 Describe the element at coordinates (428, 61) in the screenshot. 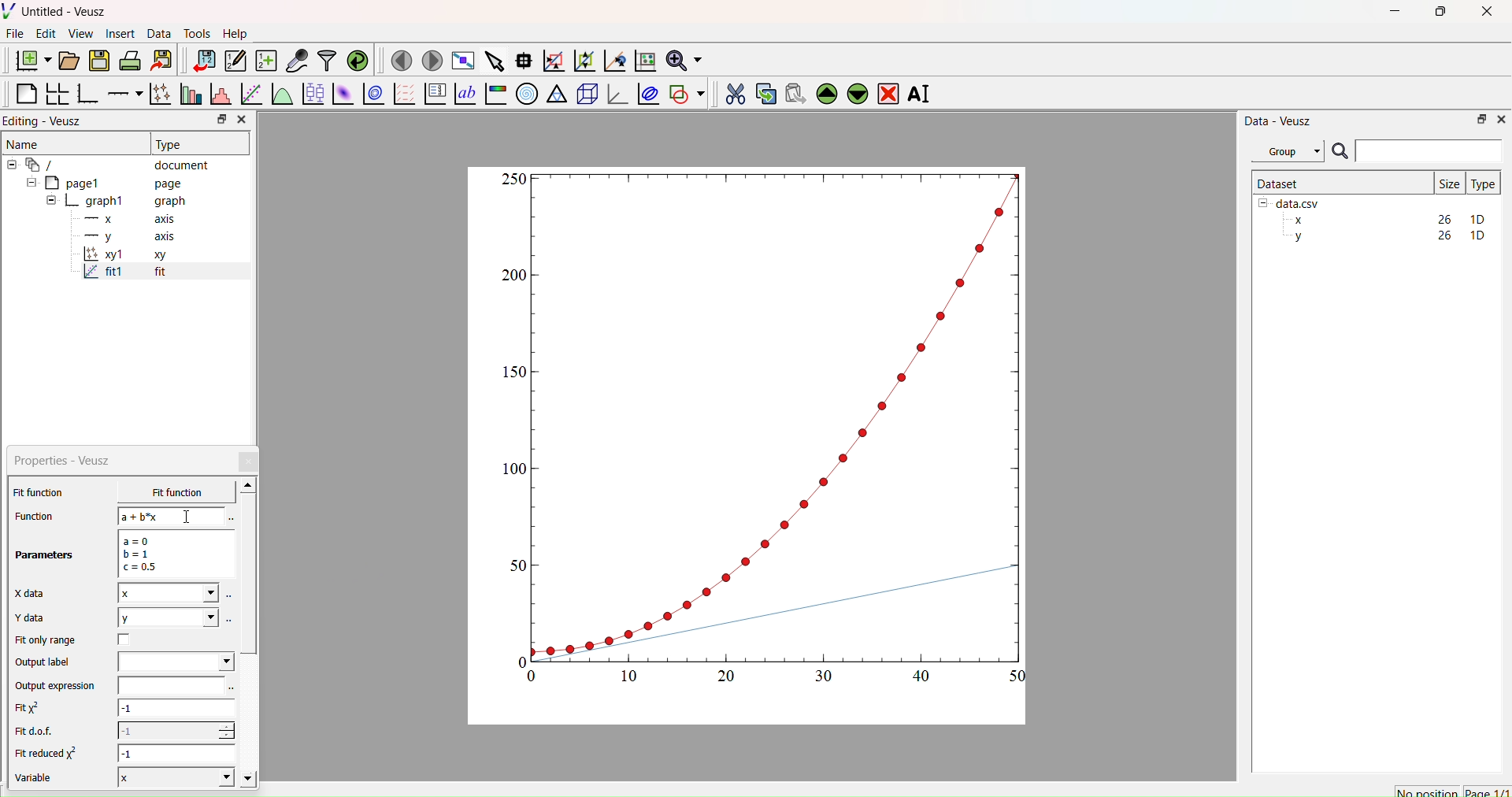

I see `Next page` at that location.